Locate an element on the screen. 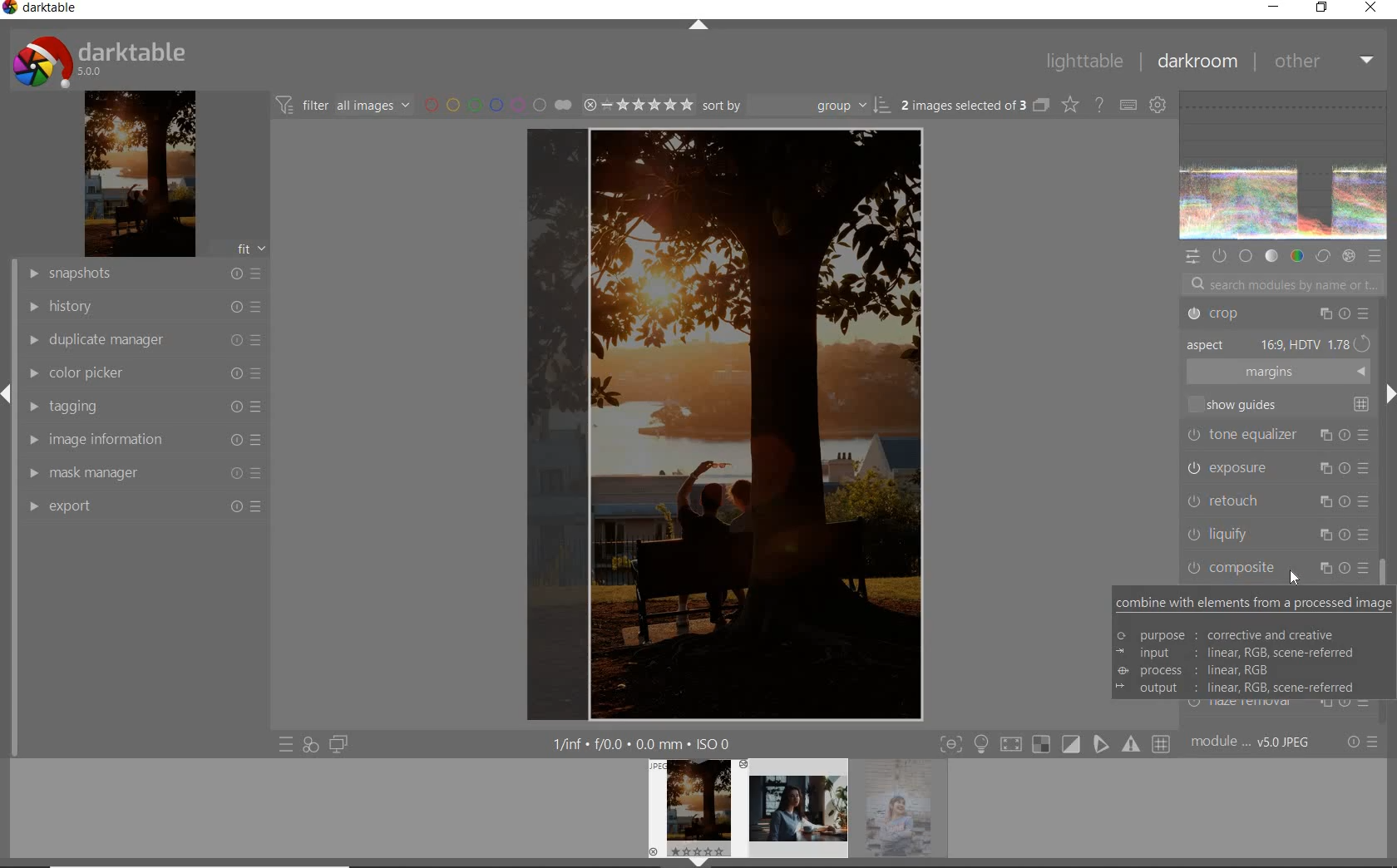 Image resolution: width=1397 pixels, height=868 pixels. filter by image color label is located at coordinates (495, 104).